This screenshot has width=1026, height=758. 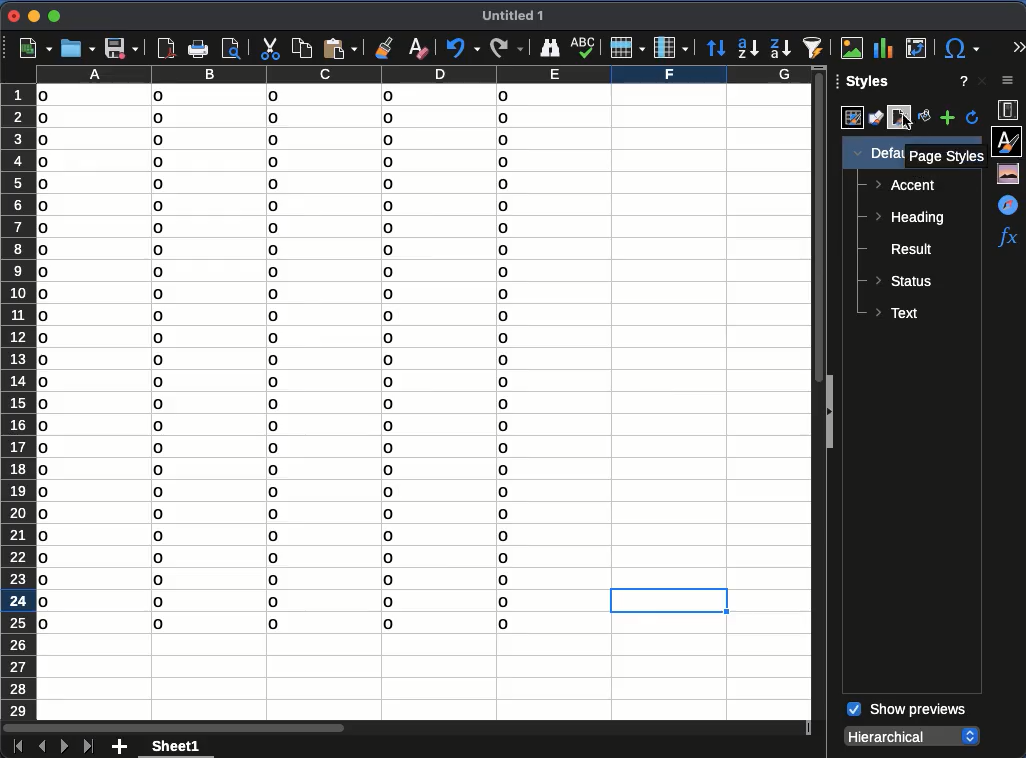 I want to click on sidebar, so click(x=1009, y=82).